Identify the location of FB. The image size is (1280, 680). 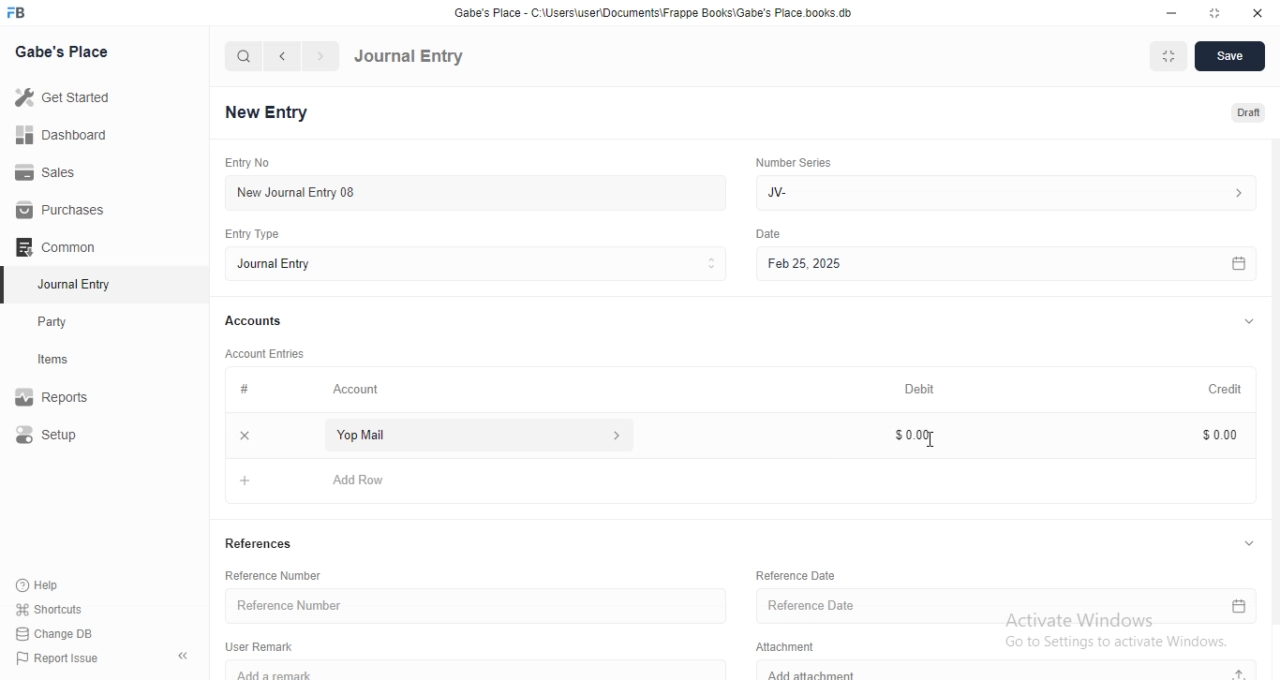
(18, 13).